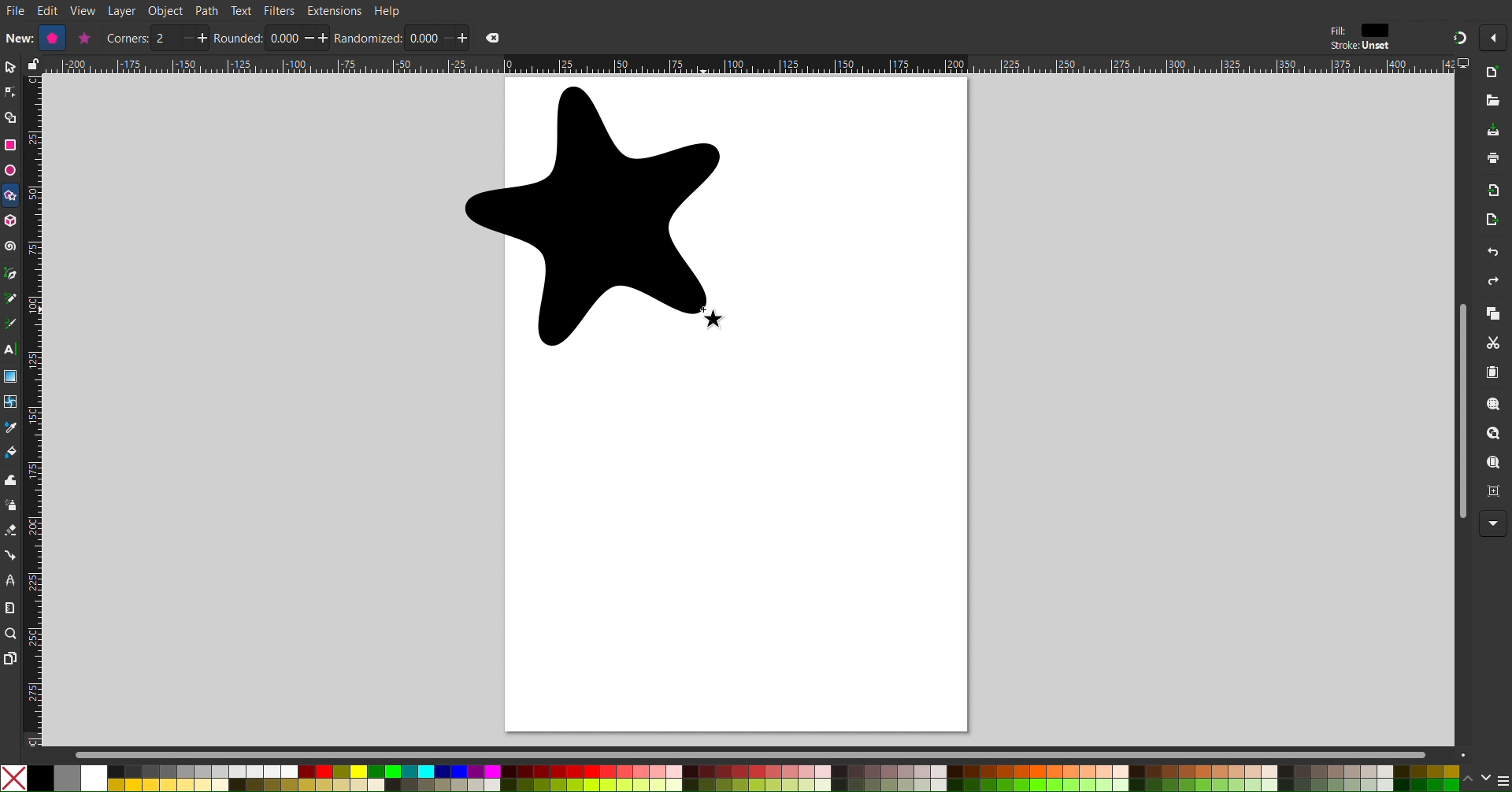 This screenshot has height=792, width=1512. What do you see at coordinates (10, 350) in the screenshot?
I see `Text Tool` at bounding box center [10, 350].